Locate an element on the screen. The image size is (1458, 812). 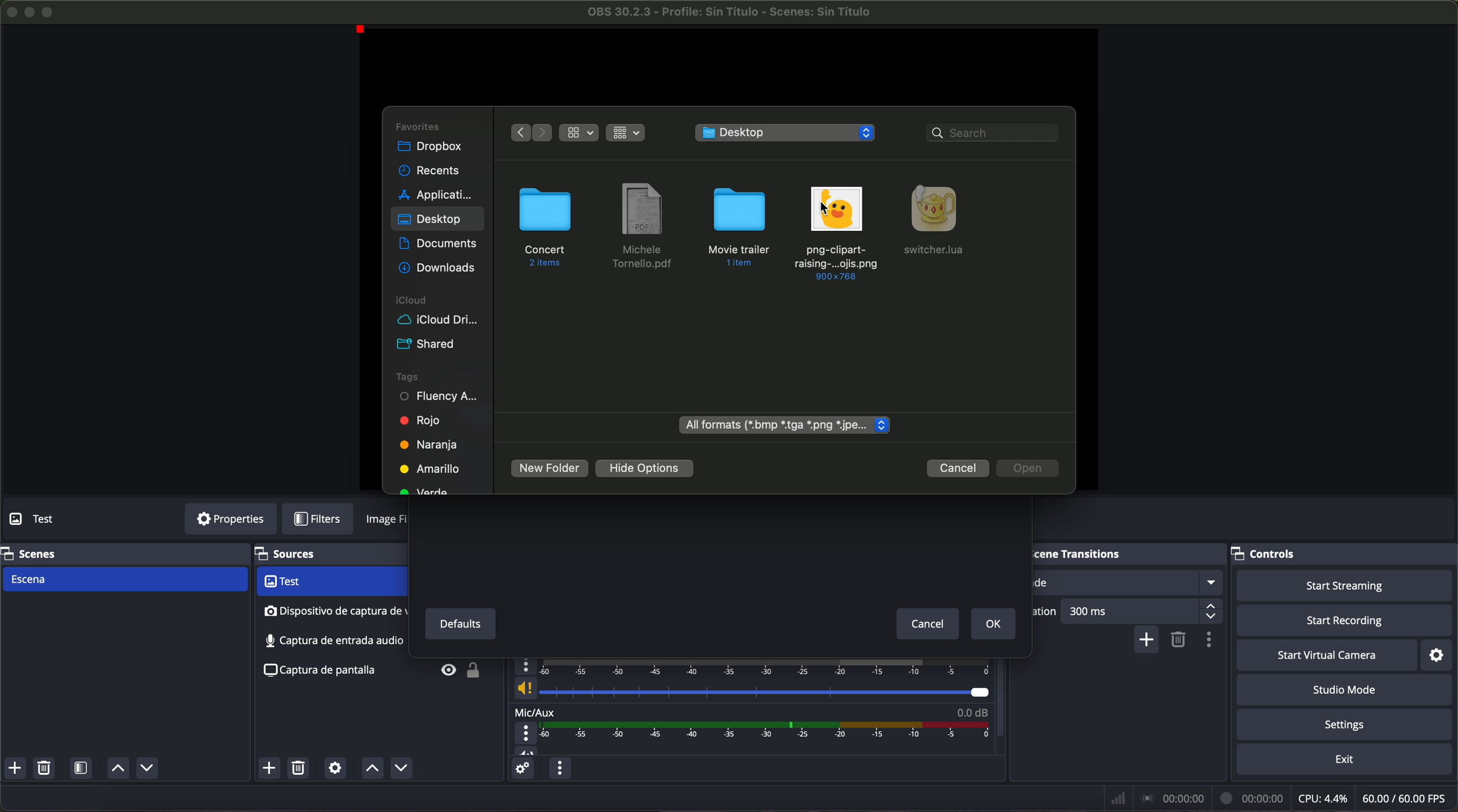
disable open button is located at coordinates (1029, 469).